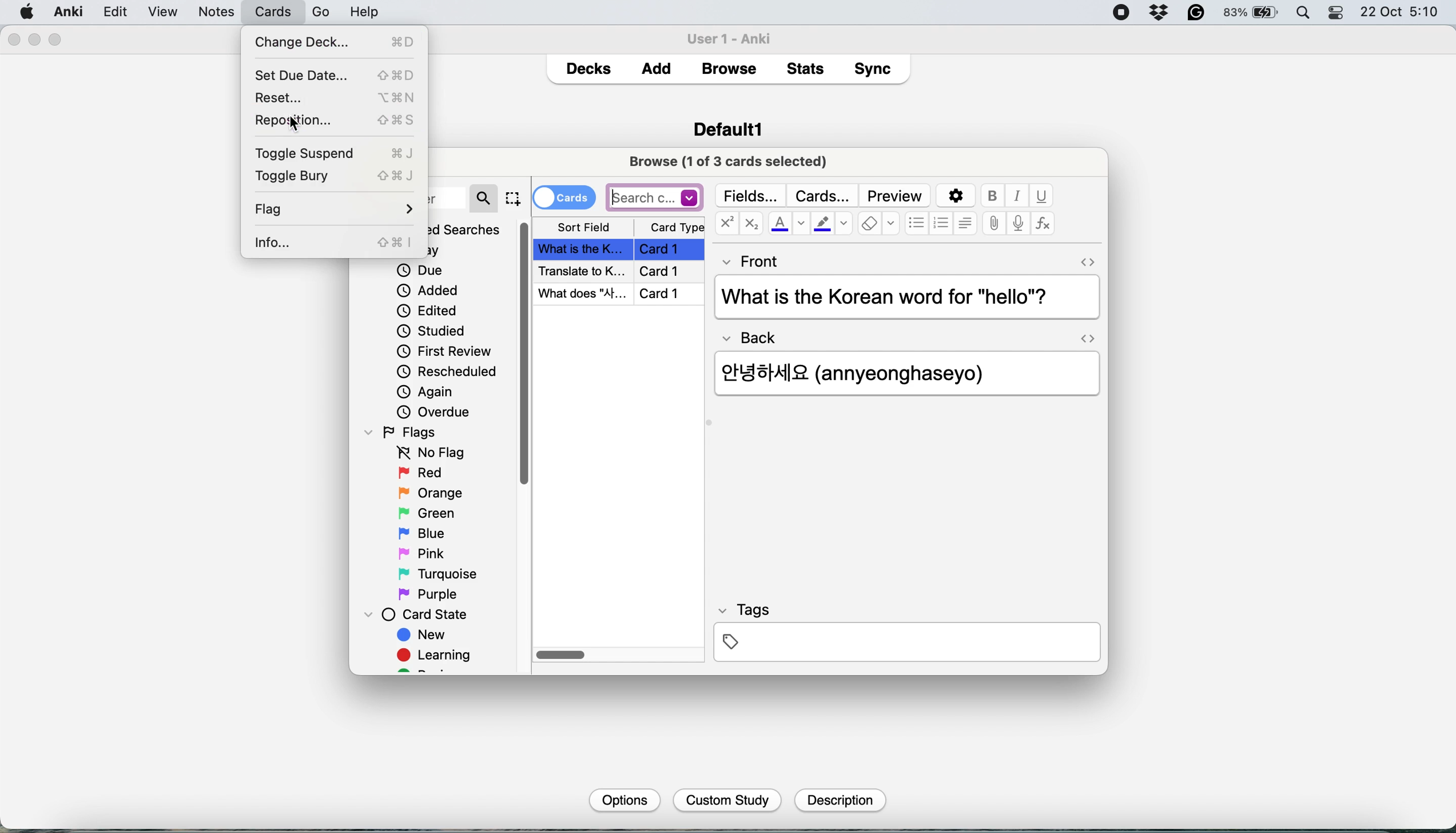 The width and height of the screenshot is (1456, 833). I want to click on What is the K... Card 1
Translate toK... Card 1
What does "At... Card 1, so click(621, 272).